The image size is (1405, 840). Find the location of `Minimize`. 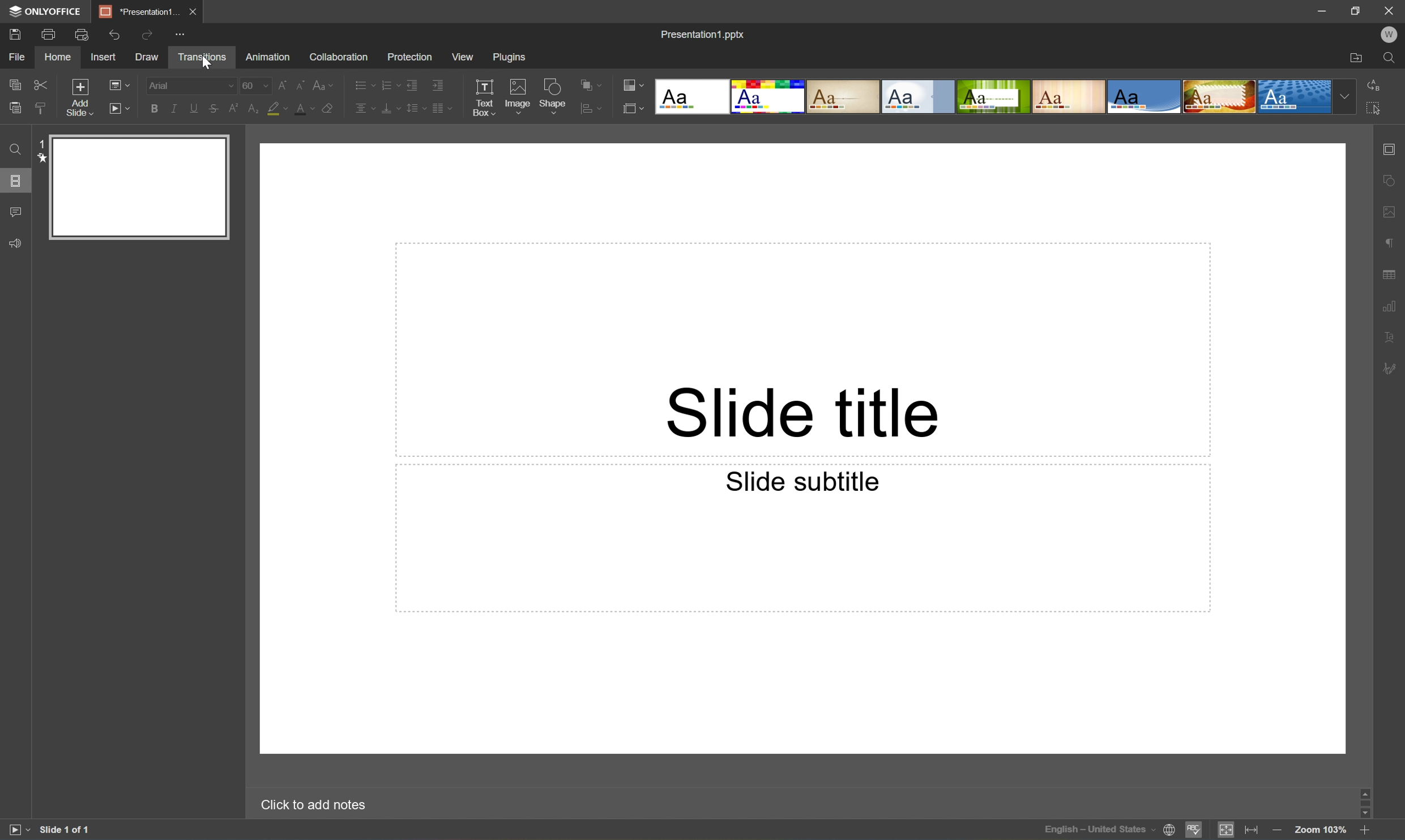

Minimize is located at coordinates (1319, 13).